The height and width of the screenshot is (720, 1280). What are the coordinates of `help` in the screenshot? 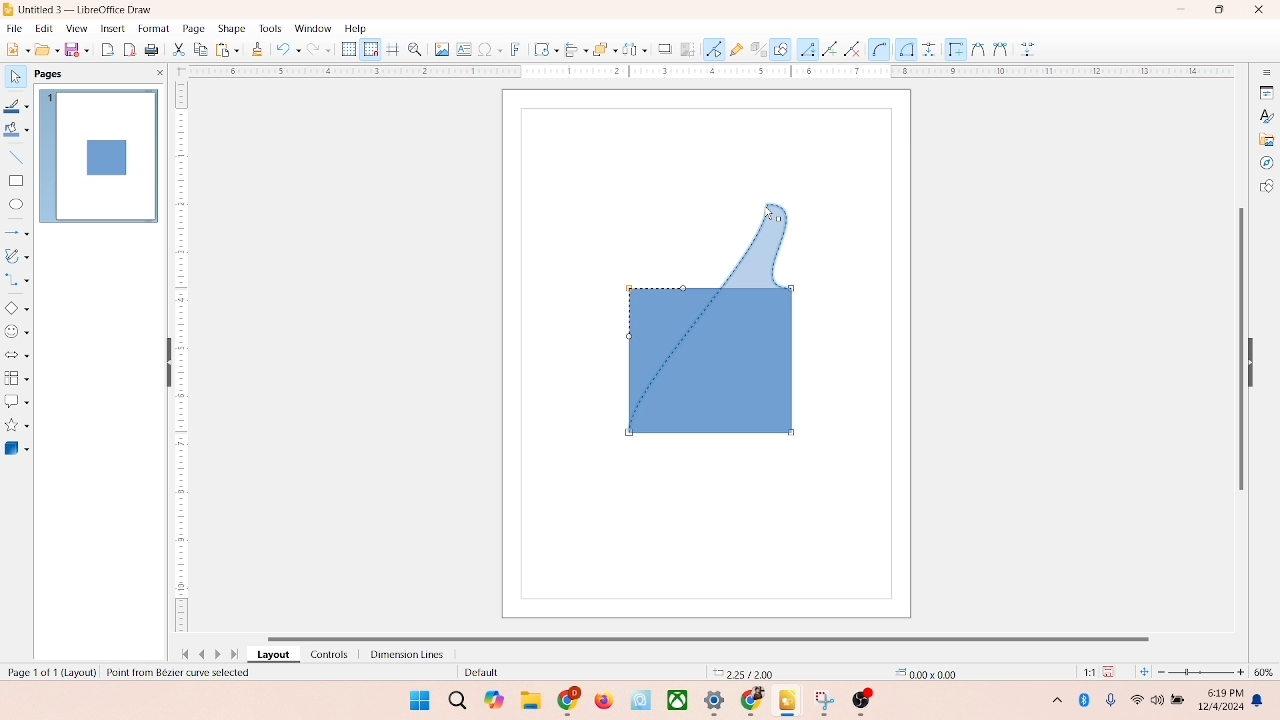 It's located at (356, 28).